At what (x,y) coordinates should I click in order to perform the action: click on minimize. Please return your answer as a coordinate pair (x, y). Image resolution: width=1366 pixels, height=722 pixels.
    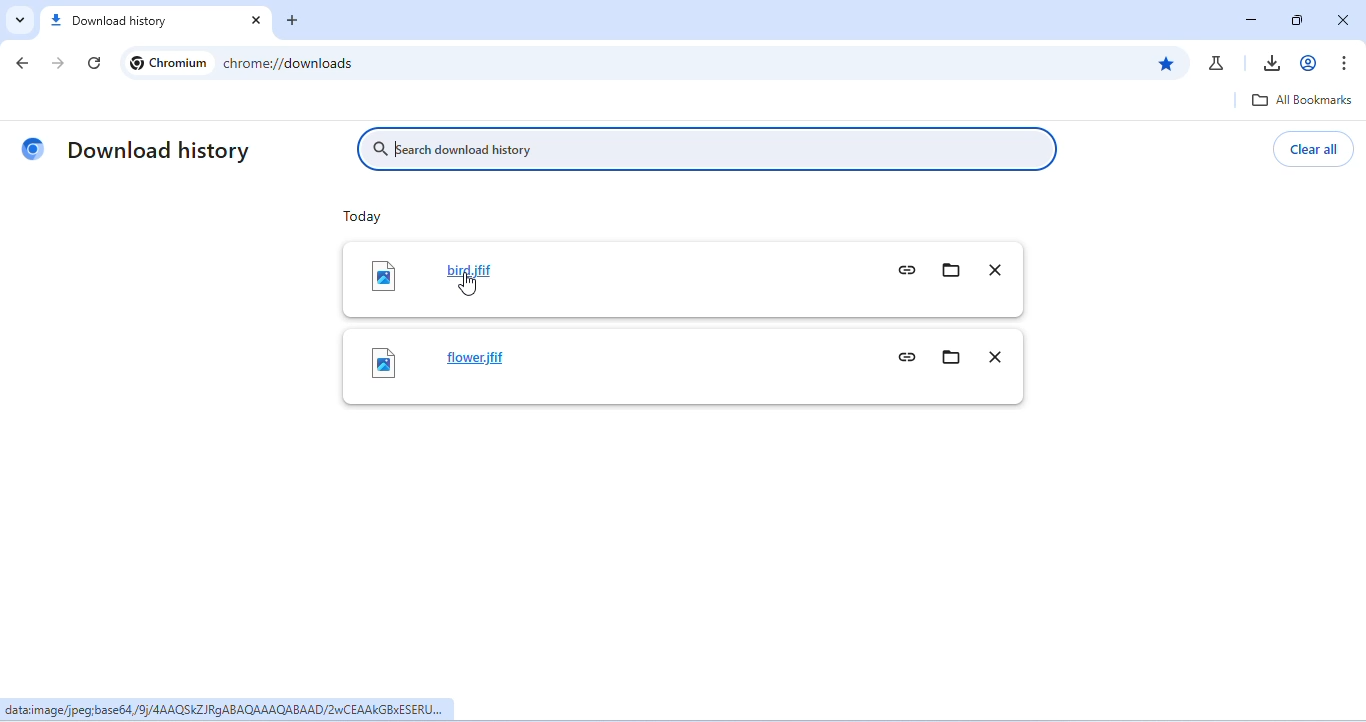
    Looking at the image, I should click on (1252, 20).